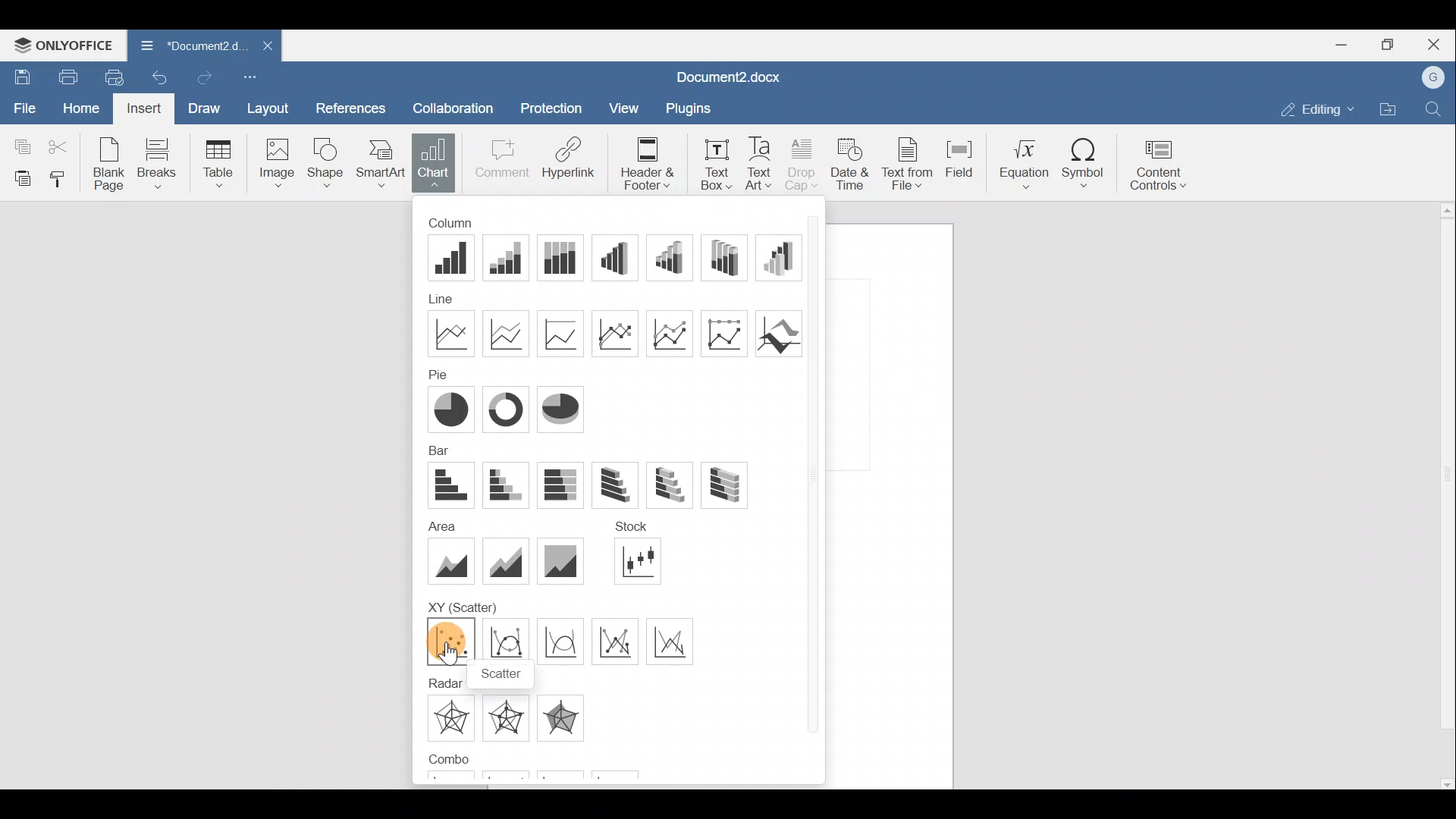 The height and width of the screenshot is (819, 1456). Describe the element at coordinates (1388, 45) in the screenshot. I see `Maximize` at that location.